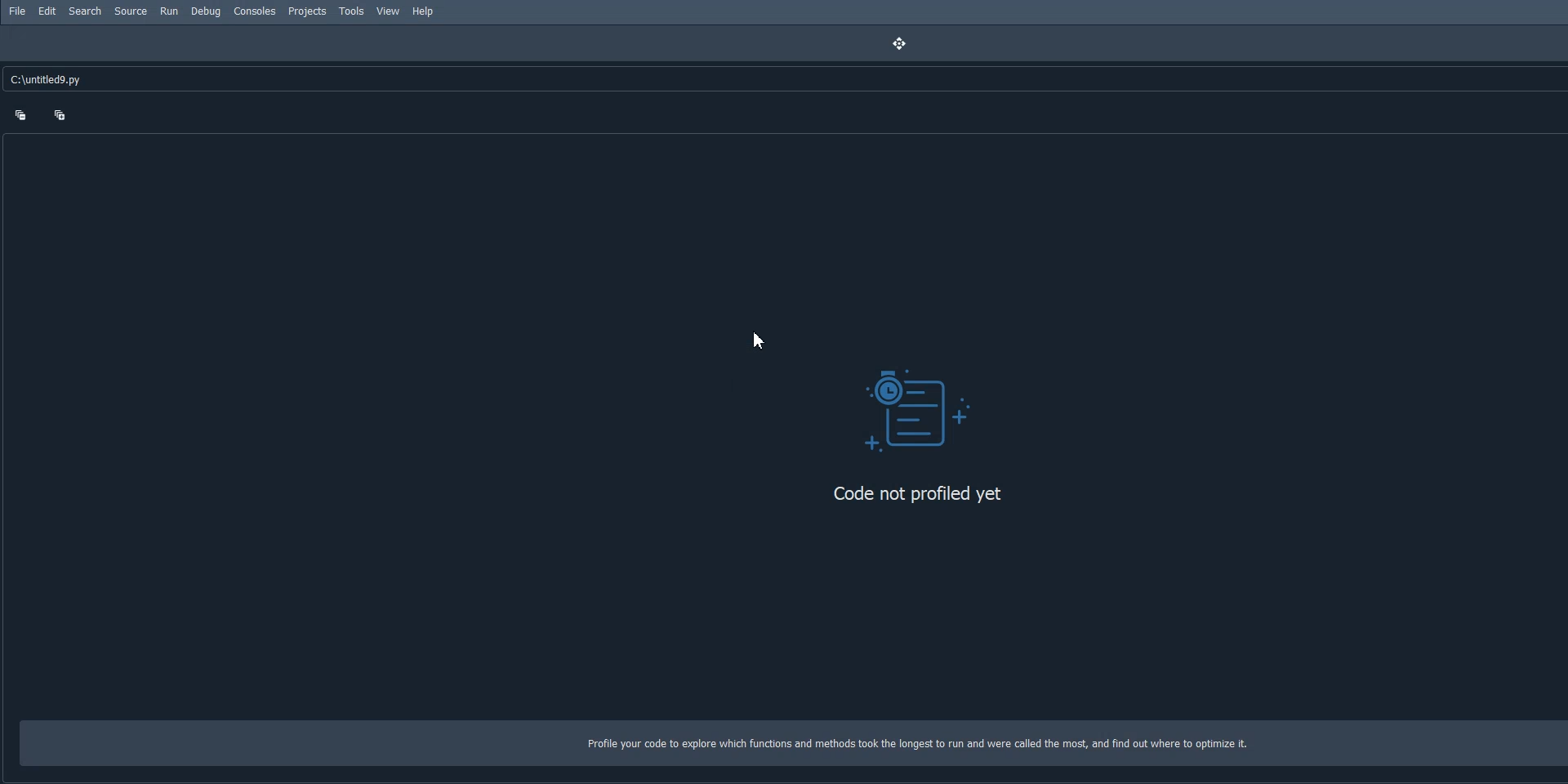  What do you see at coordinates (901, 43) in the screenshot?
I see `Drag Handle` at bounding box center [901, 43].